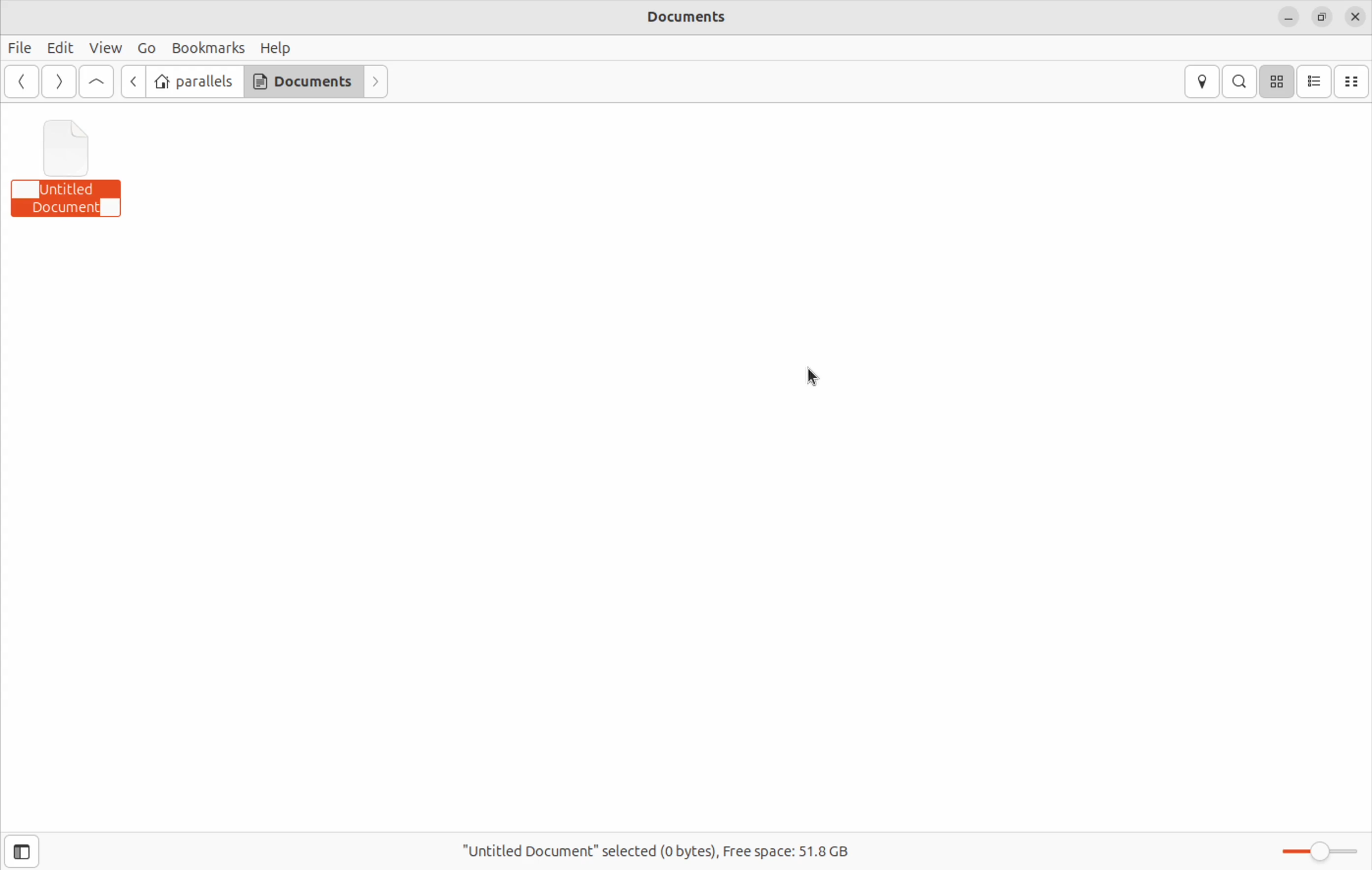 The image size is (1372, 870). What do you see at coordinates (702, 19) in the screenshot?
I see `Documents` at bounding box center [702, 19].